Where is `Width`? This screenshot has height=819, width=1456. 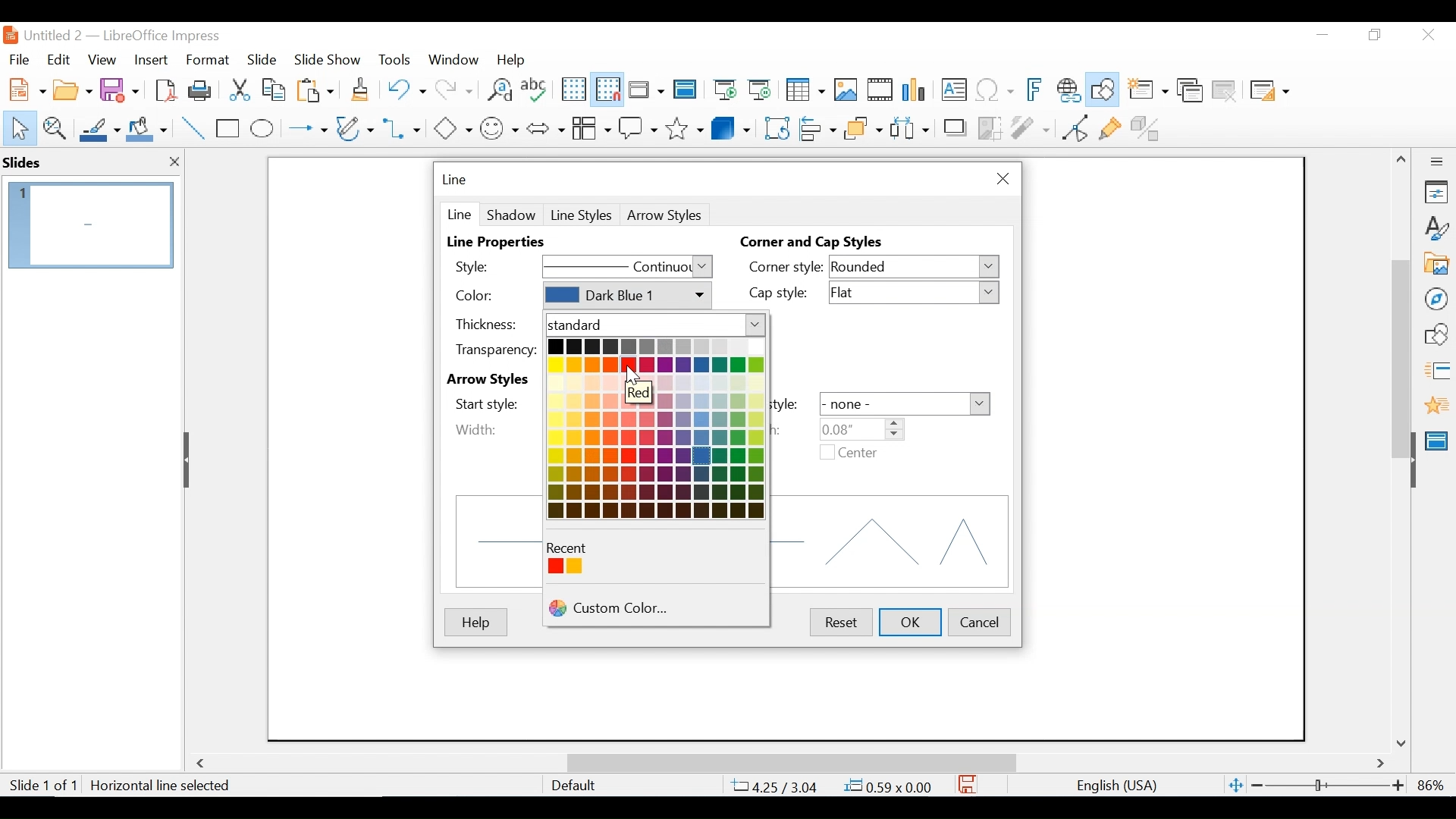
Width is located at coordinates (476, 429).